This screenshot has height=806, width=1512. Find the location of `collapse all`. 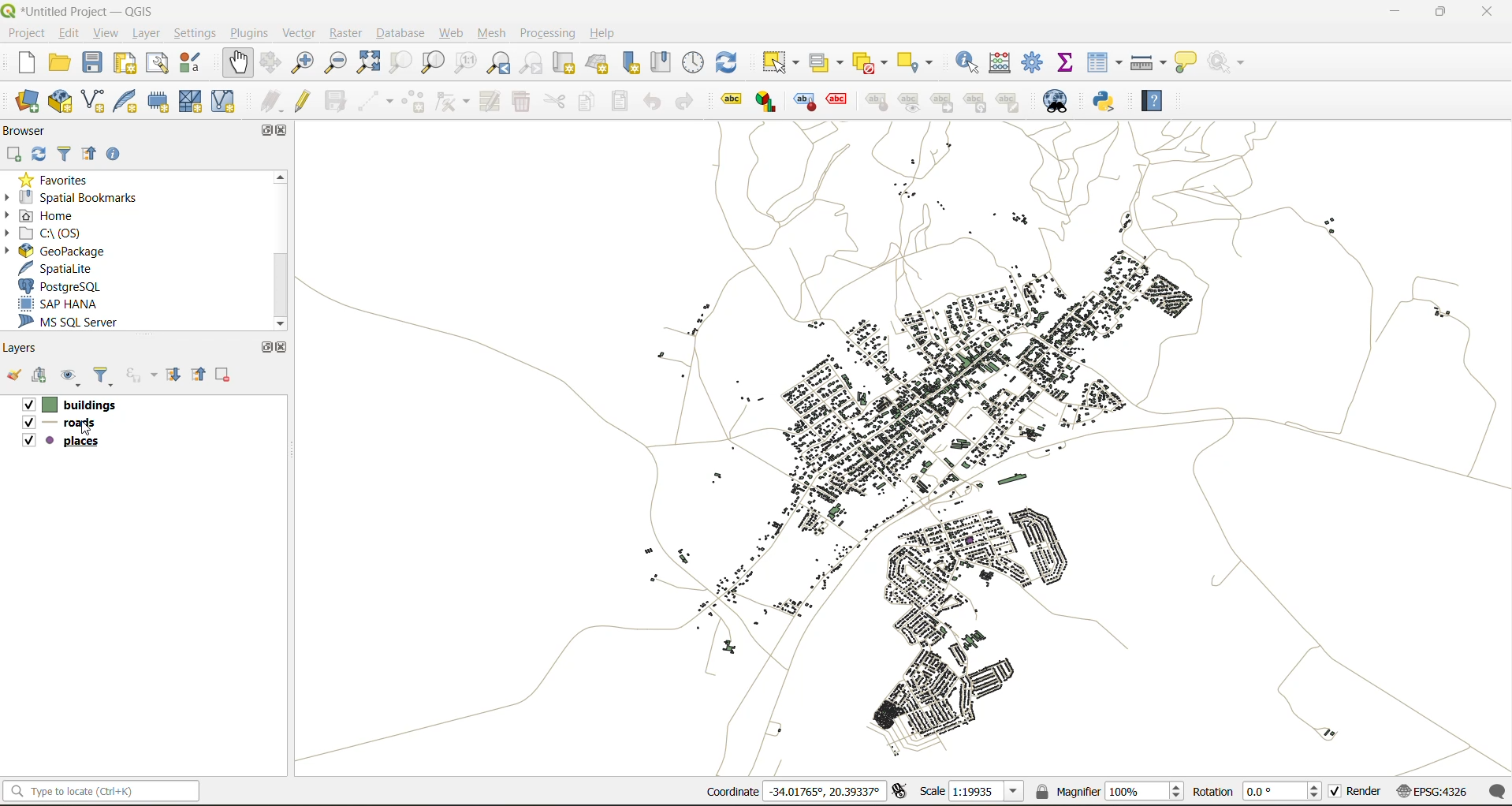

collapse all is located at coordinates (197, 374).